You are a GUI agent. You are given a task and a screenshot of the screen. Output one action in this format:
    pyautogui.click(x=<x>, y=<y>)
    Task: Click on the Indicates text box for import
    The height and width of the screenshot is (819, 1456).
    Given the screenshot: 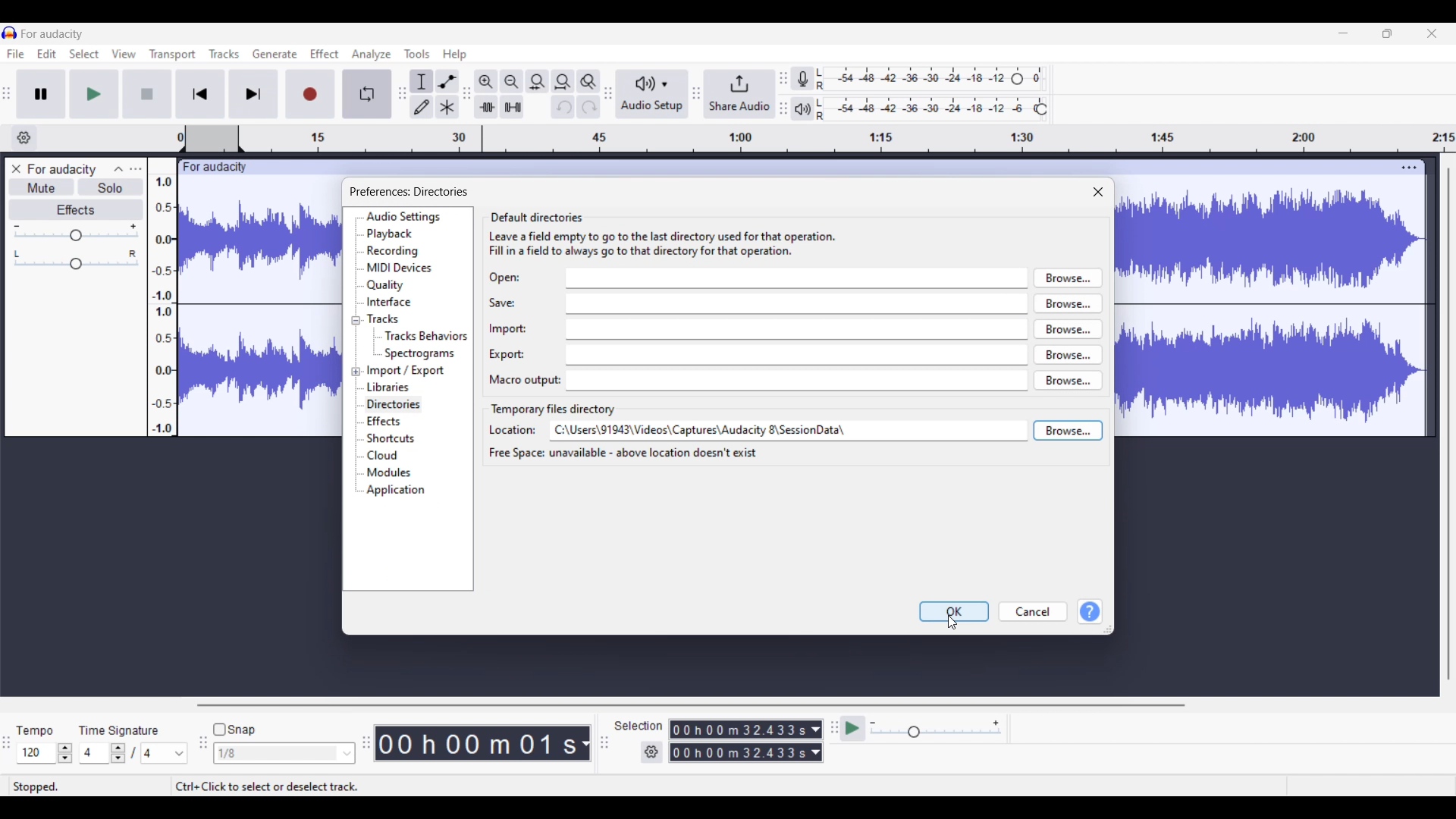 What is the action you would take?
    pyautogui.click(x=508, y=328)
    